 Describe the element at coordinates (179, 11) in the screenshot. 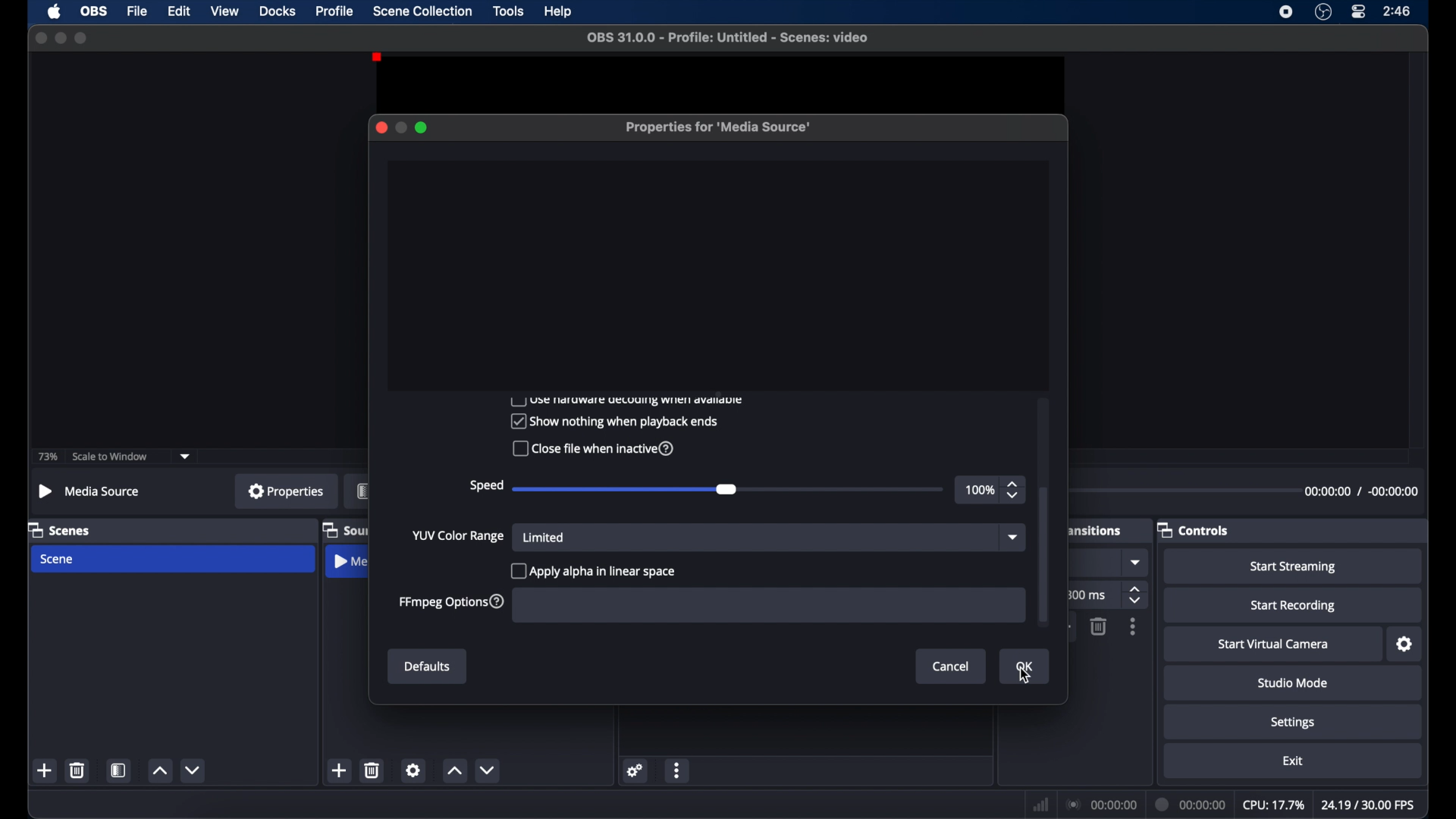

I see `edit` at that location.